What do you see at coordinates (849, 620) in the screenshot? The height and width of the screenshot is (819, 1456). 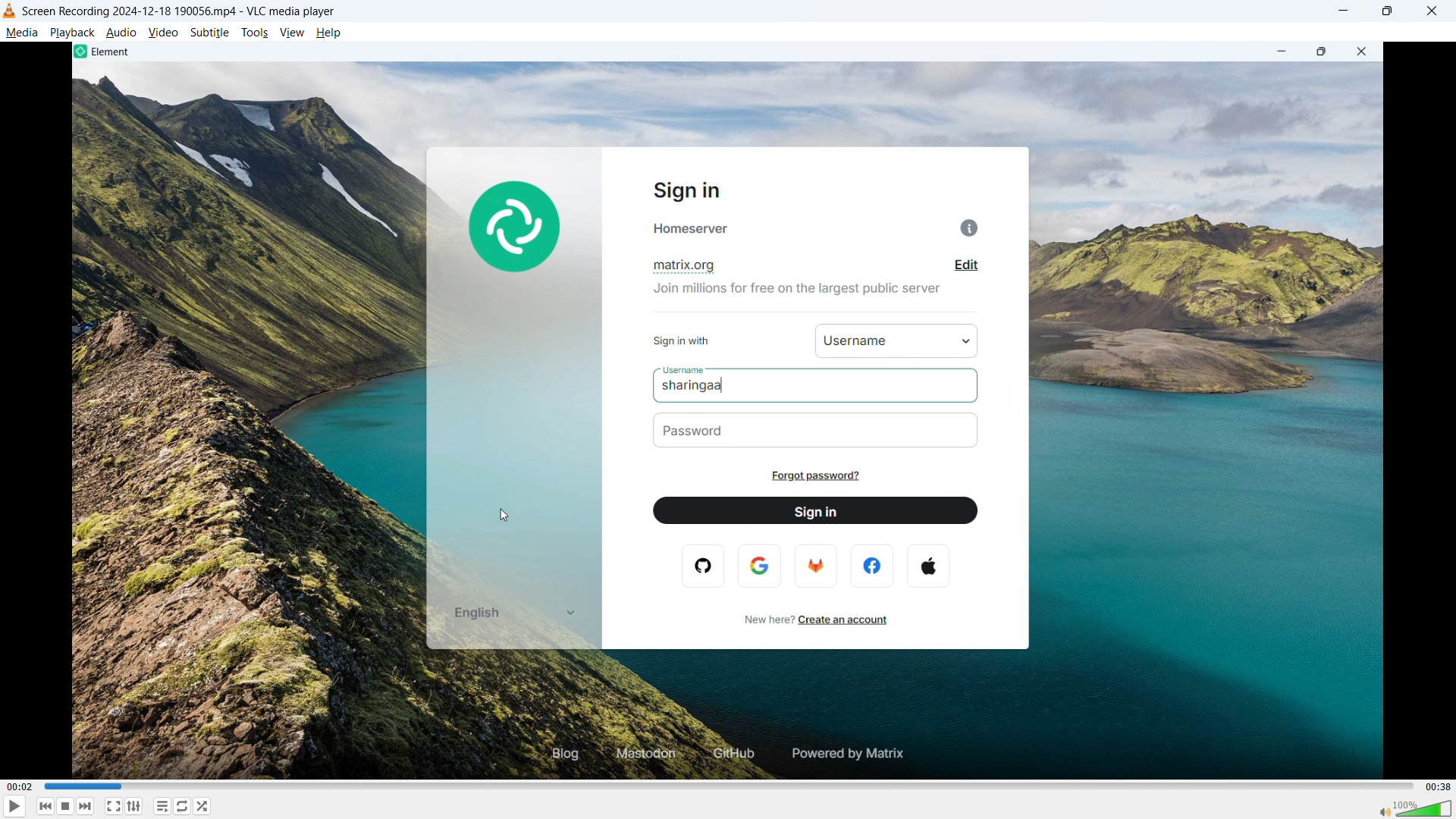 I see `Create an account` at bounding box center [849, 620].